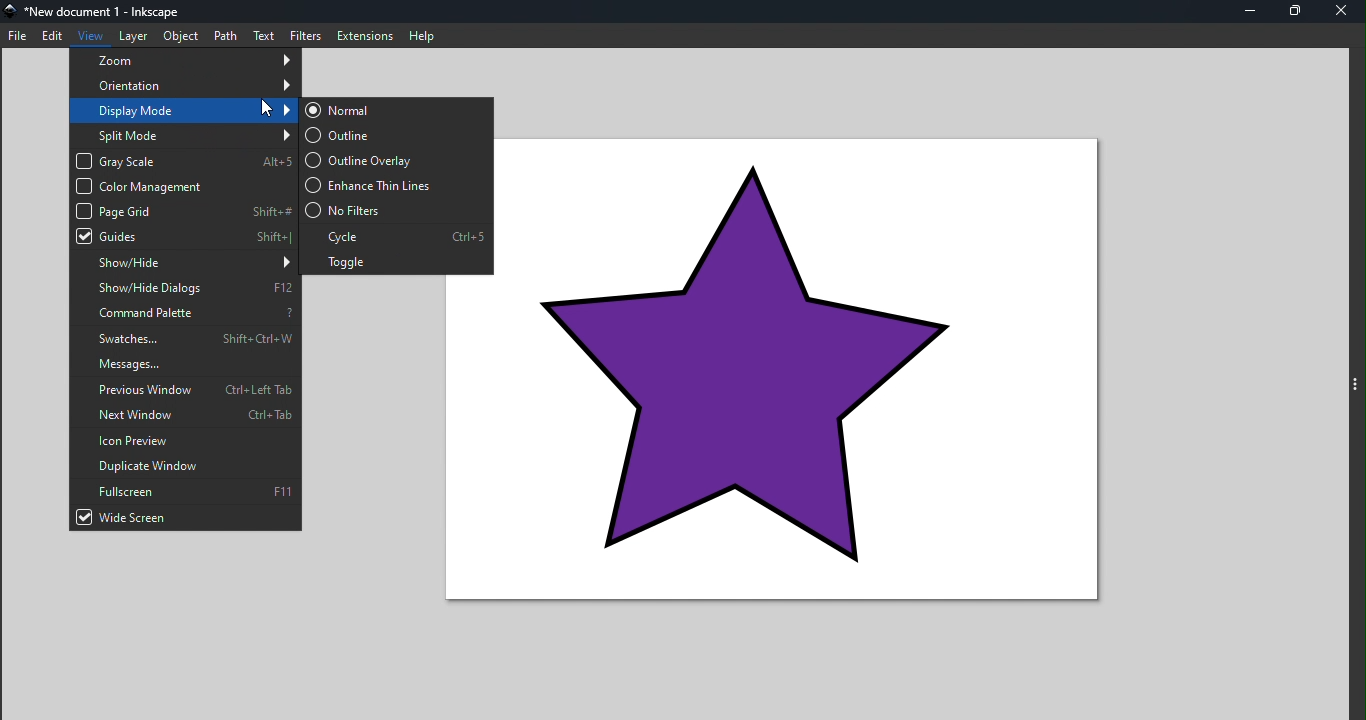  I want to click on Close, so click(1342, 12).